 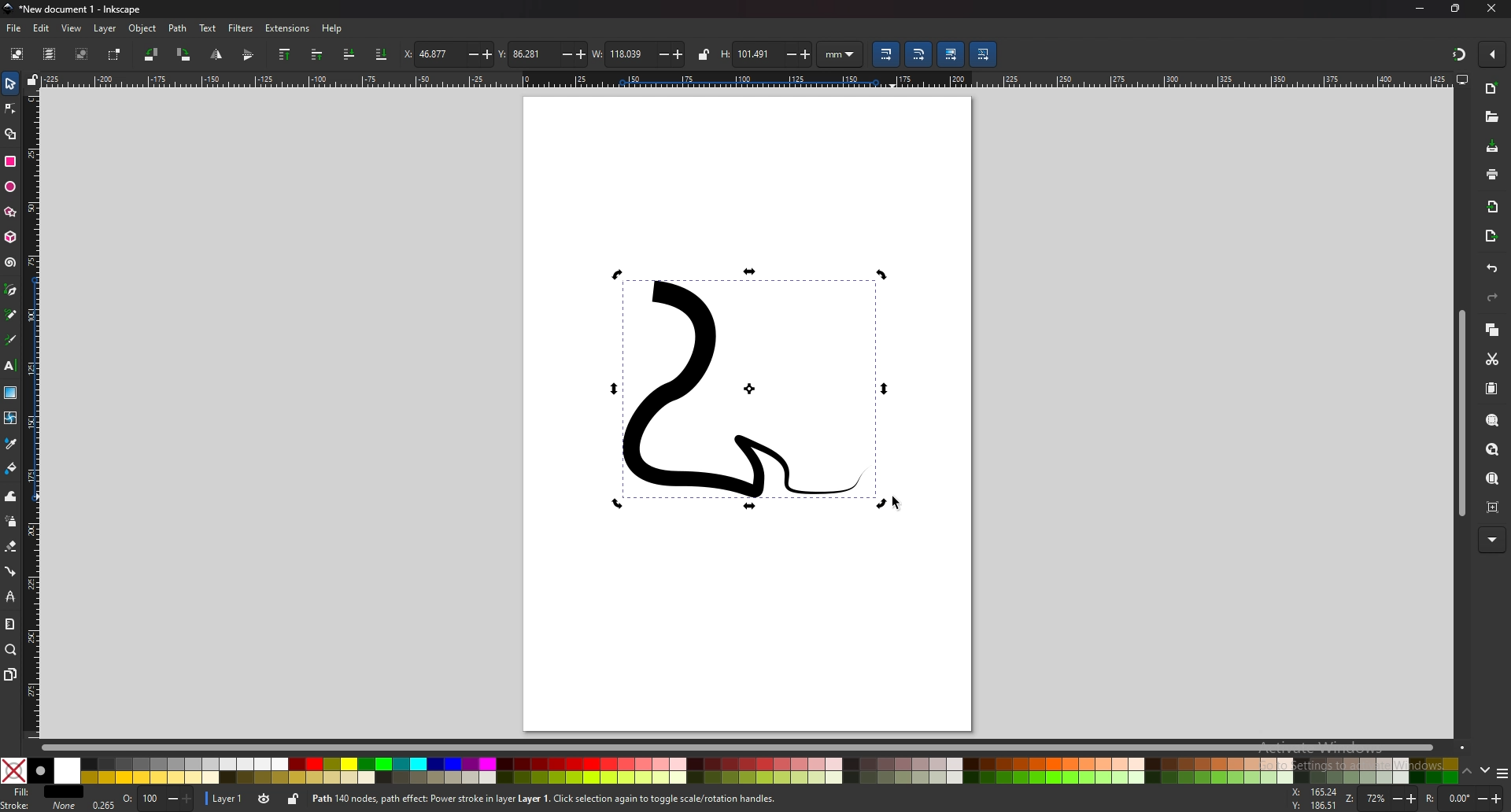 I want to click on help, so click(x=332, y=30).